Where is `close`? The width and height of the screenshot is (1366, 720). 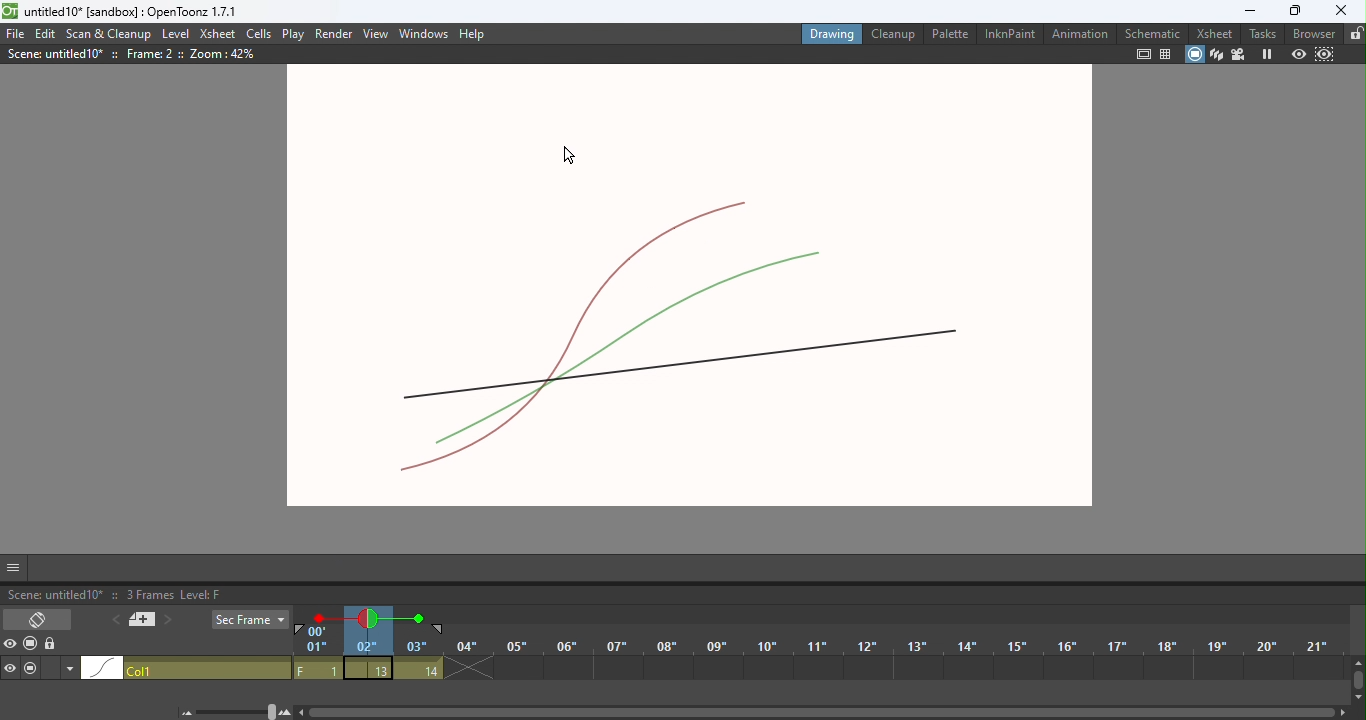 close is located at coordinates (1346, 11).